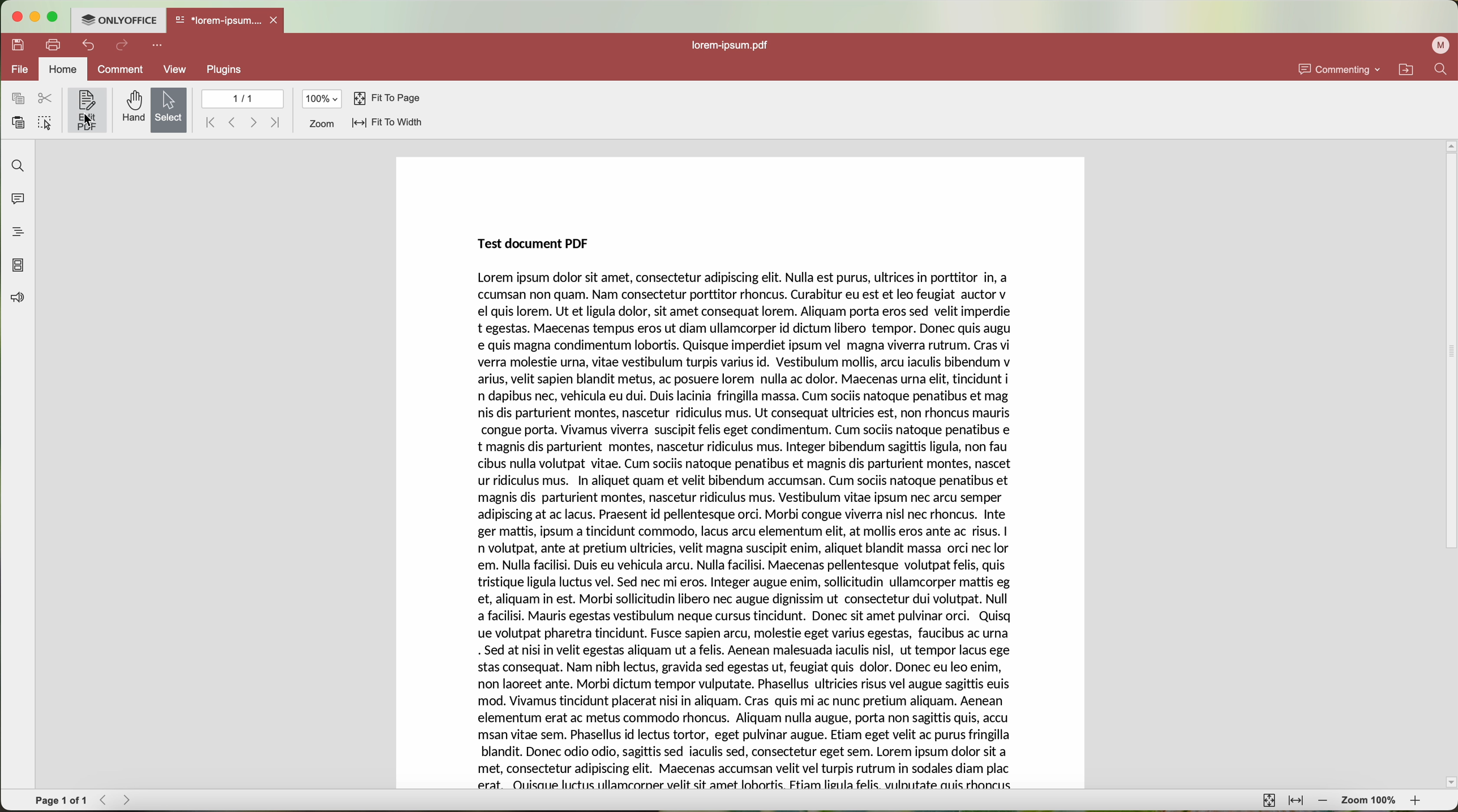 This screenshot has width=1458, height=812. Describe the element at coordinates (252, 123) in the screenshot. I see `forward` at that location.